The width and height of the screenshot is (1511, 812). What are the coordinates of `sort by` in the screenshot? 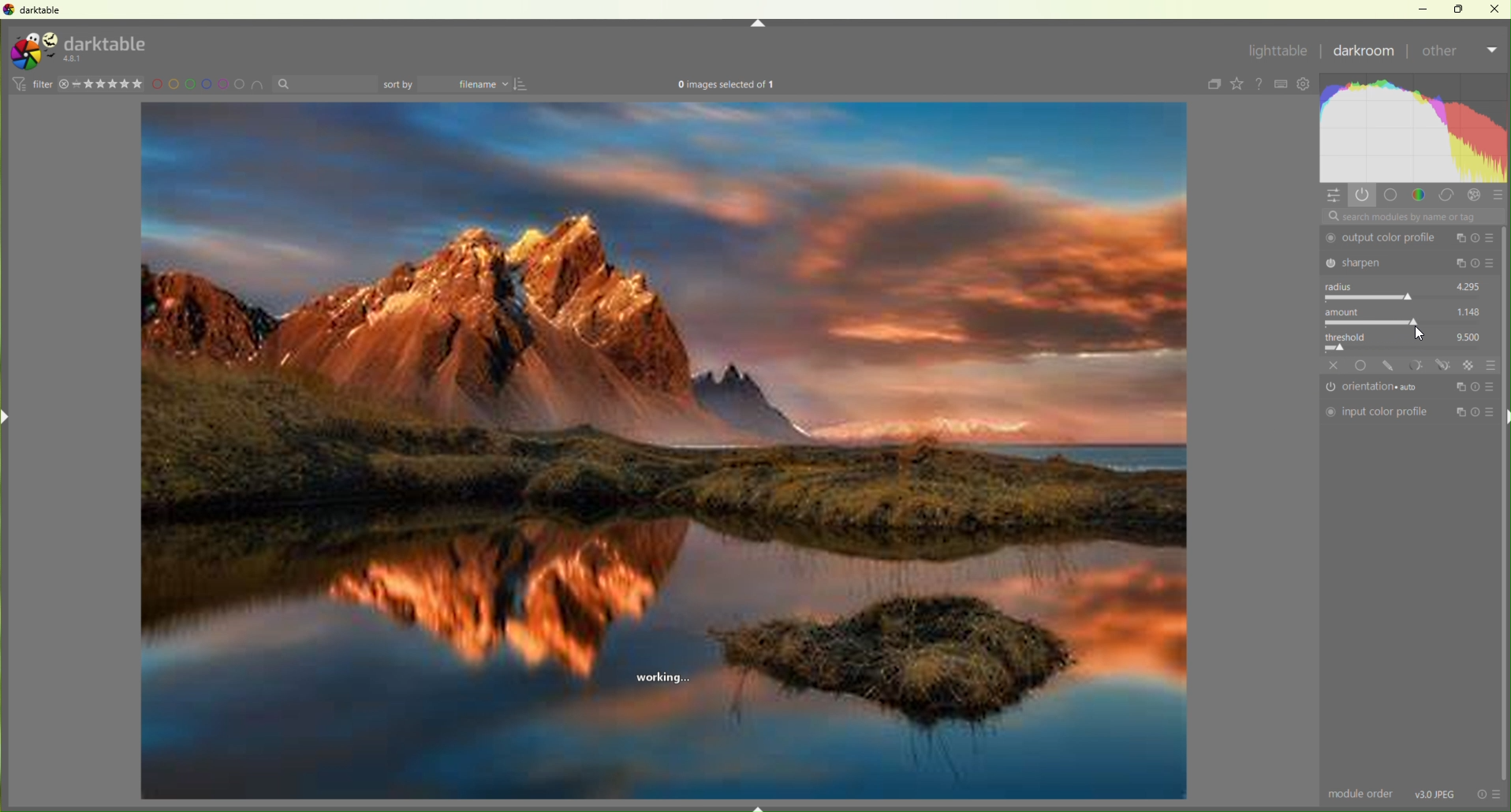 It's located at (399, 84).